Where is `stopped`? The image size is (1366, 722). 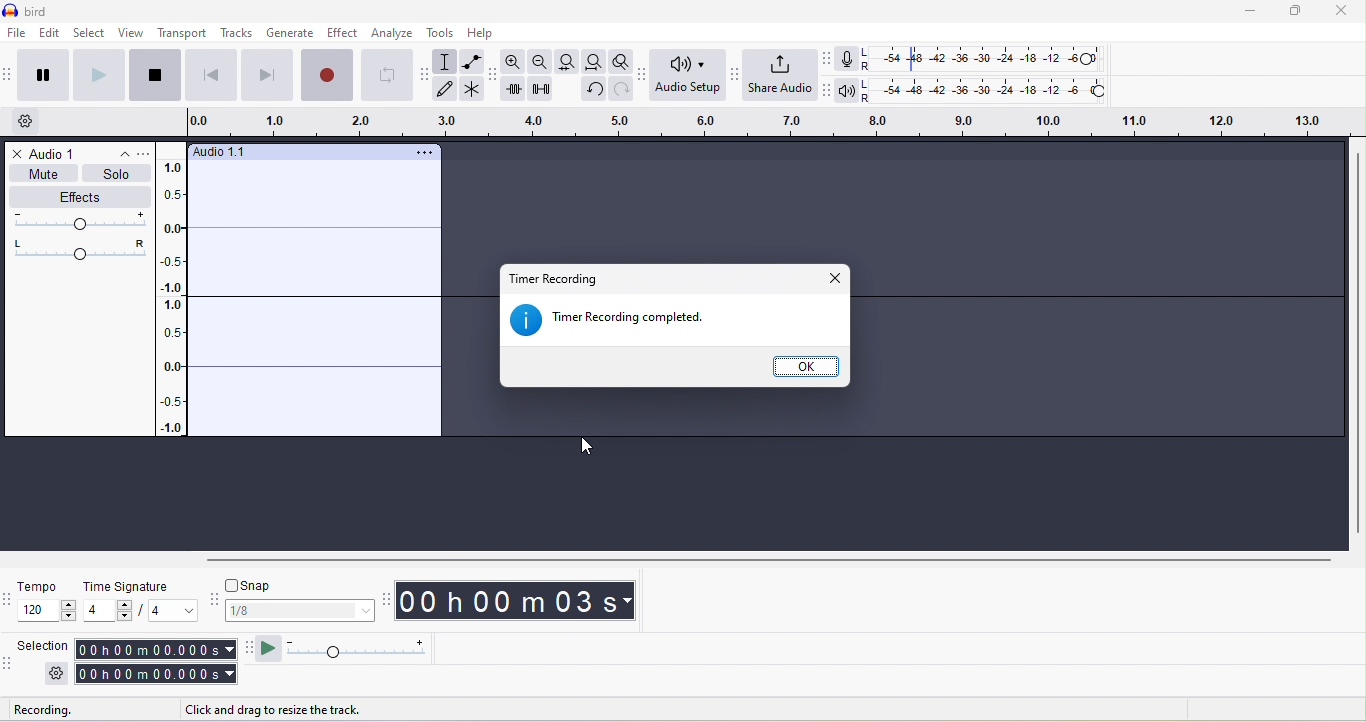
stopped is located at coordinates (50, 710).